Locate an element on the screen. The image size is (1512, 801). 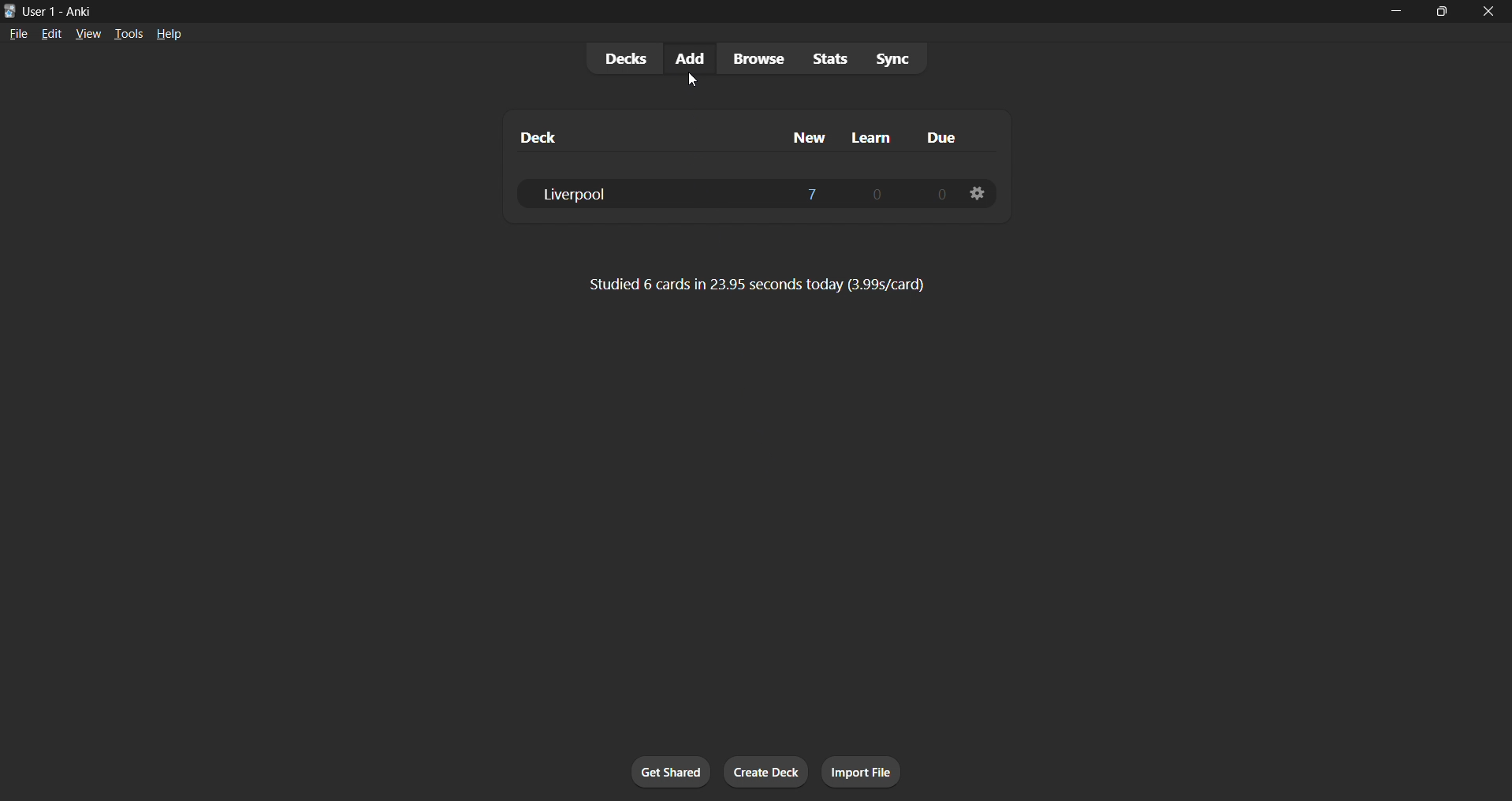
deck settings is located at coordinates (977, 193).